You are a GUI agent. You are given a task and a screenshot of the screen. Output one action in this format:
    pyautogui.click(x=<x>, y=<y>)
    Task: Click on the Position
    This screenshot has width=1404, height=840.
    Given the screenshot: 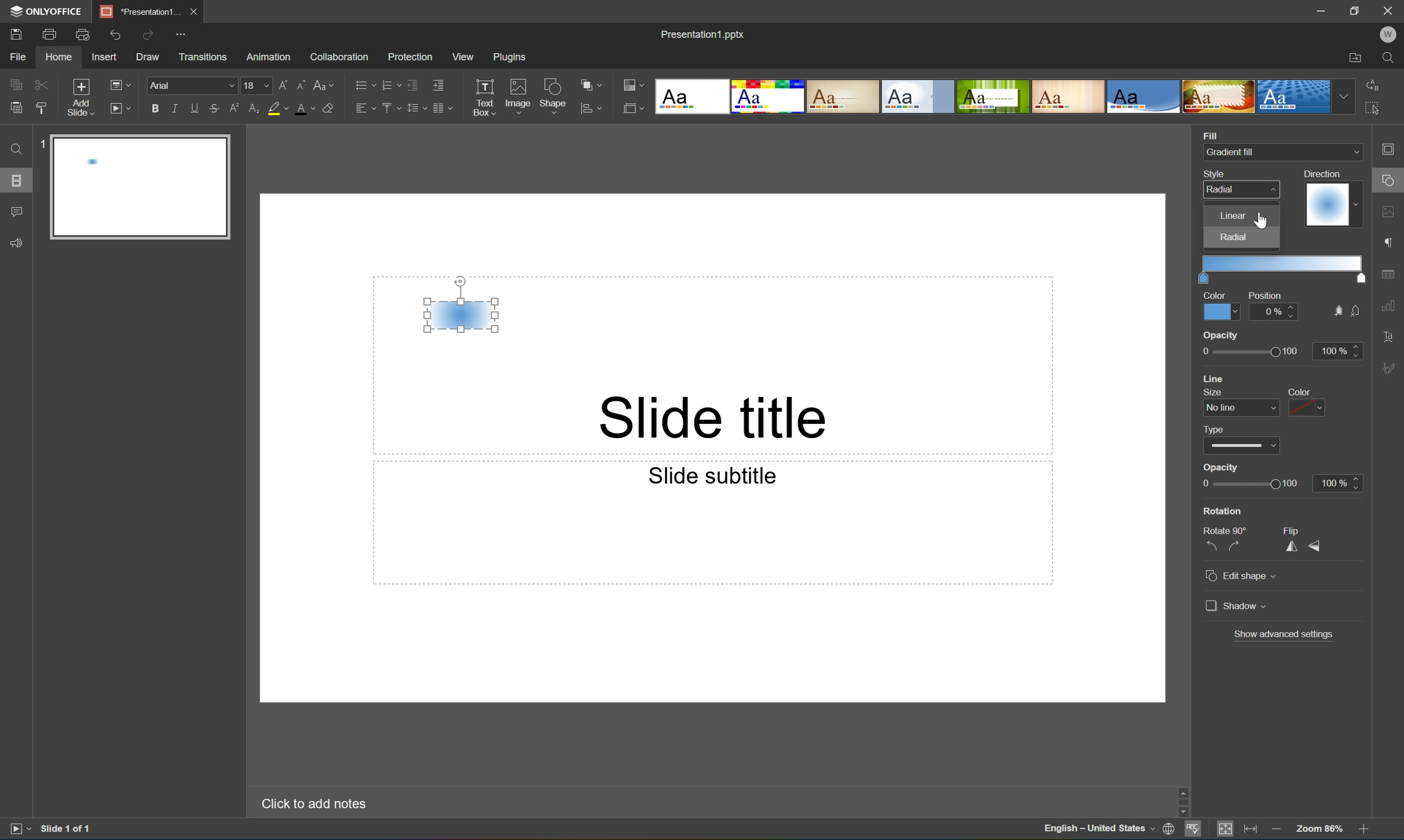 What is the action you would take?
    pyautogui.click(x=1264, y=295)
    